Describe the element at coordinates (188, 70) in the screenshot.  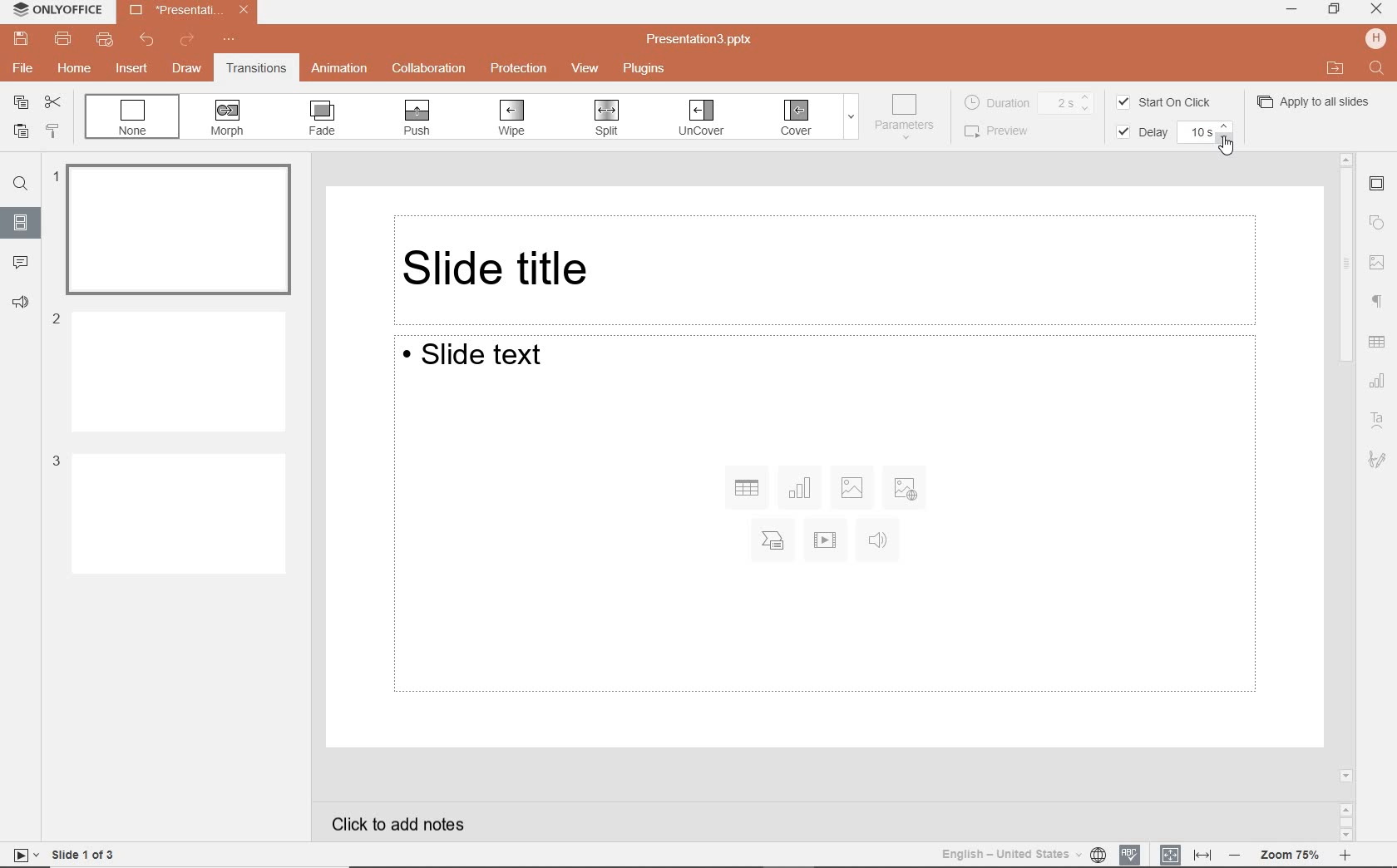
I see `draw` at that location.